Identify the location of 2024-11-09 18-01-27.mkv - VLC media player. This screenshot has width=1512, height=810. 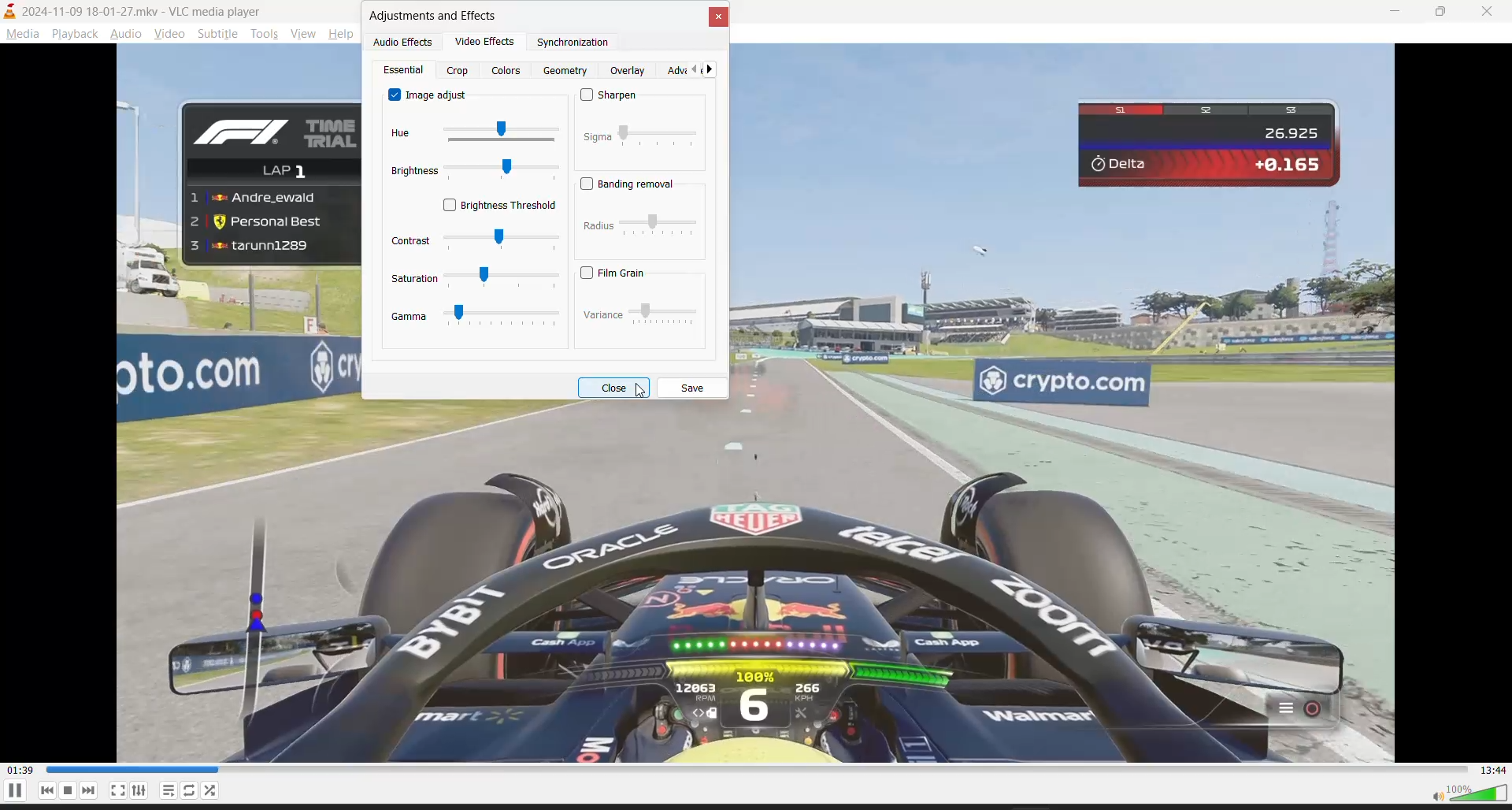
(139, 11).